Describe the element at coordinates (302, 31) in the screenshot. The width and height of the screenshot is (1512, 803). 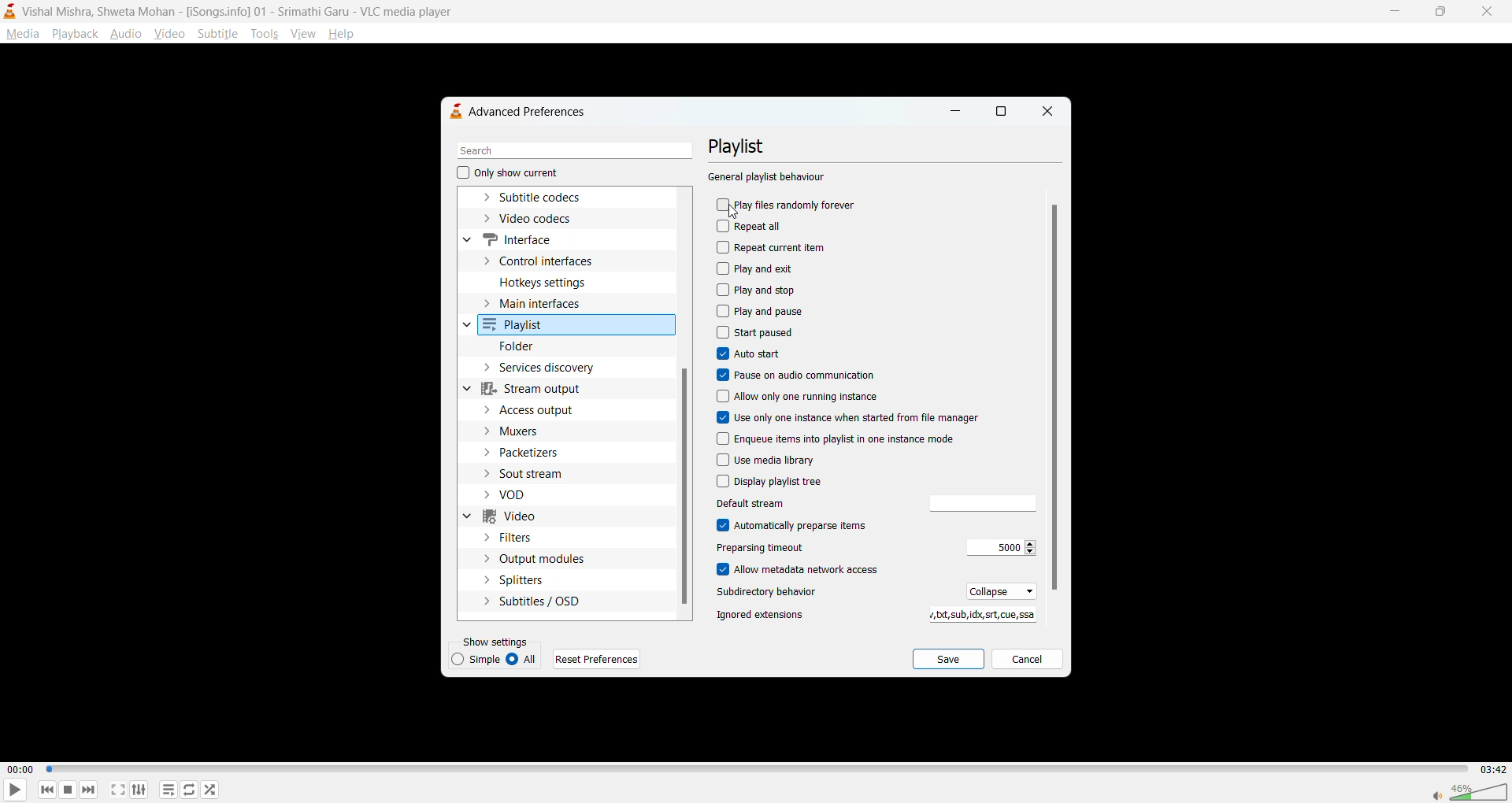
I see `view` at that location.